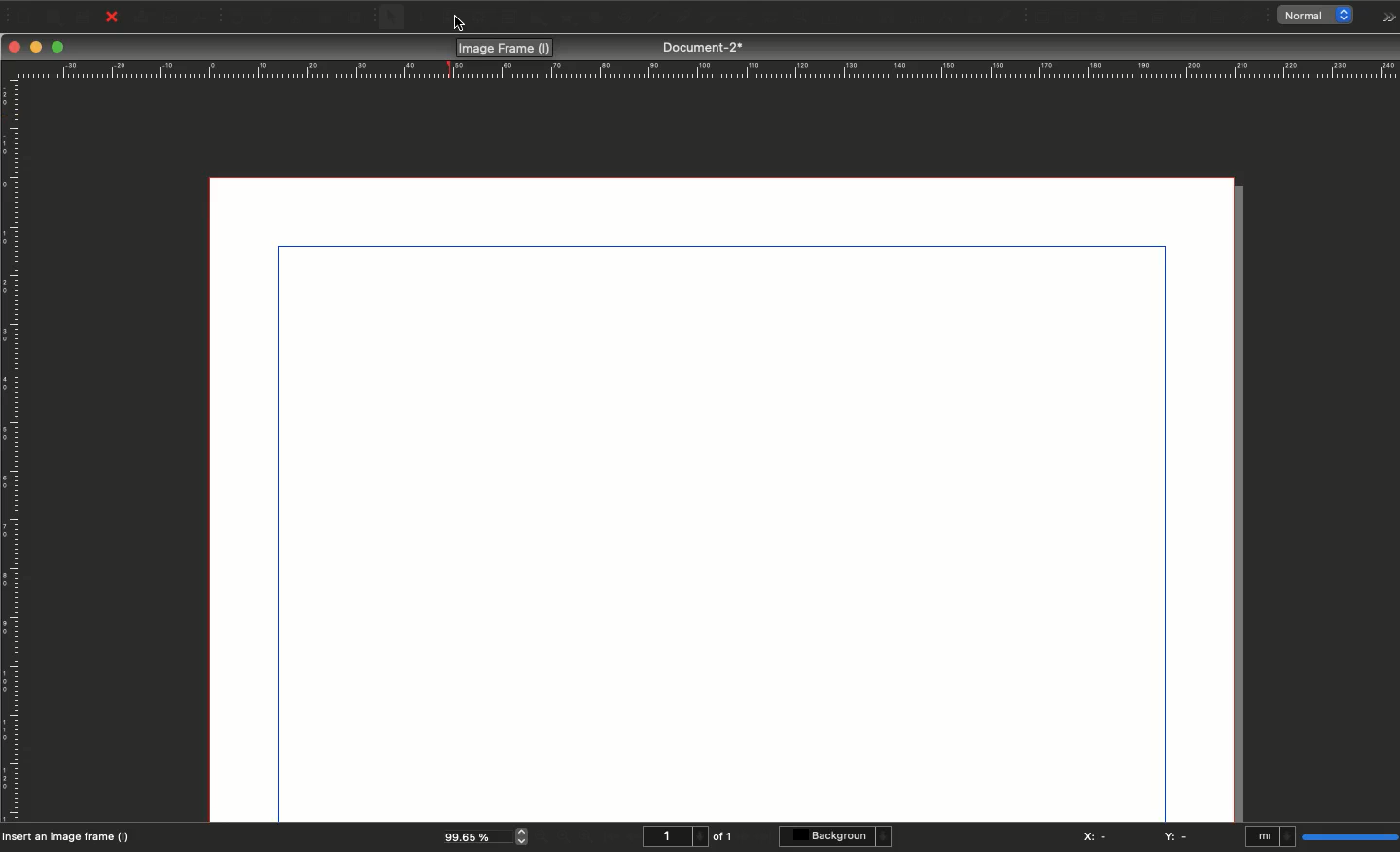  What do you see at coordinates (708, 18) in the screenshot?
I see `Freehand line` at bounding box center [708, 18].